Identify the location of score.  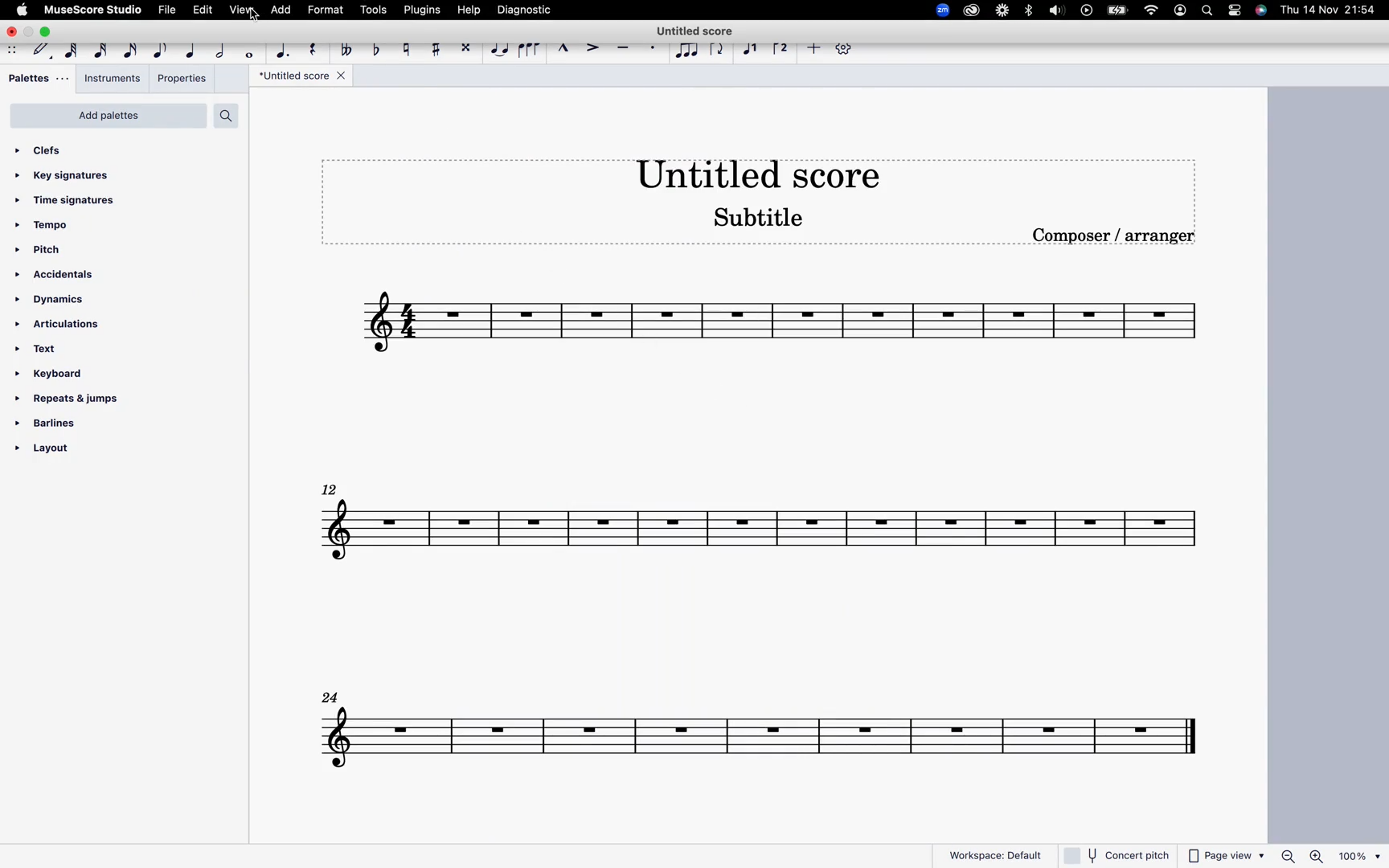
(782, 322).